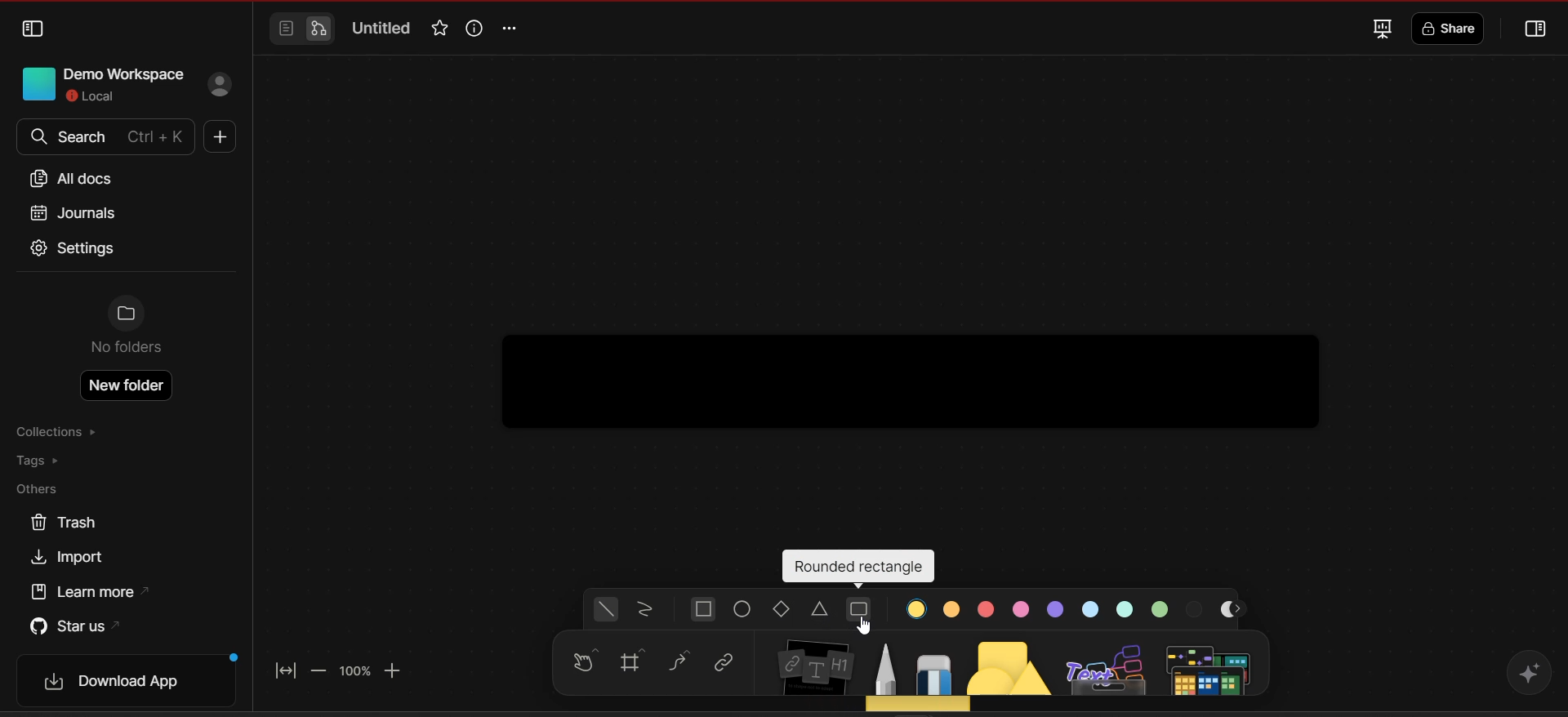  I want to click on tags, so click(50, 461).